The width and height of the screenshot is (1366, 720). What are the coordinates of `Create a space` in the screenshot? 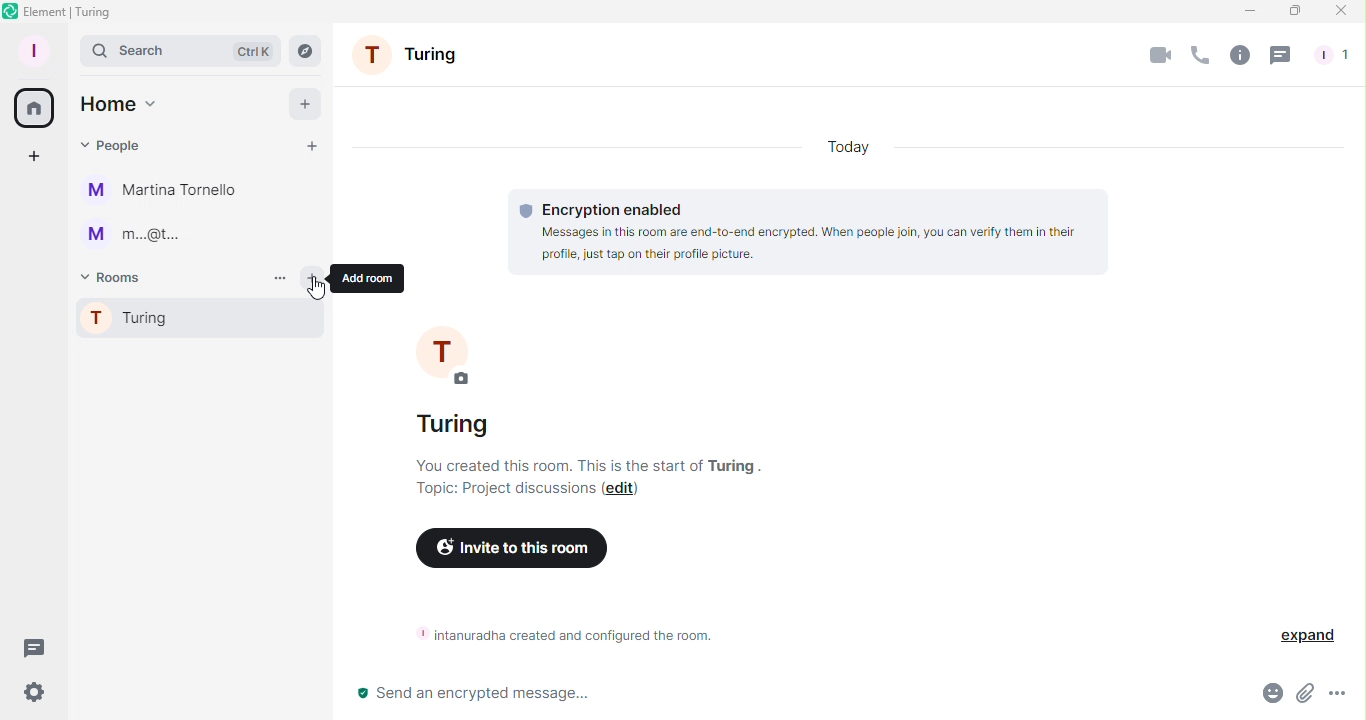 It's located at (35, 157).